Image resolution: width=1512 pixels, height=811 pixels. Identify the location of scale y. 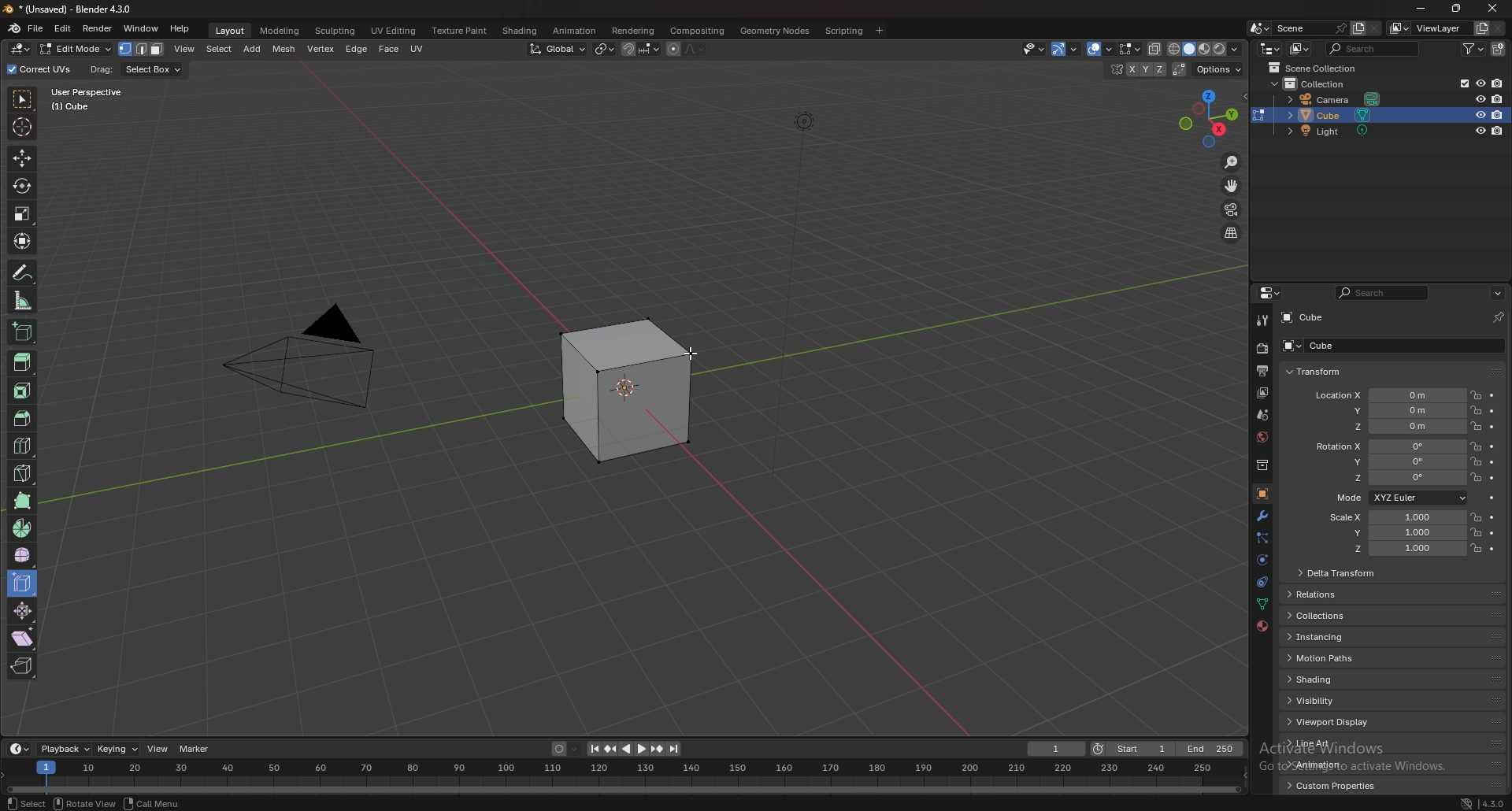
(1396, 533).